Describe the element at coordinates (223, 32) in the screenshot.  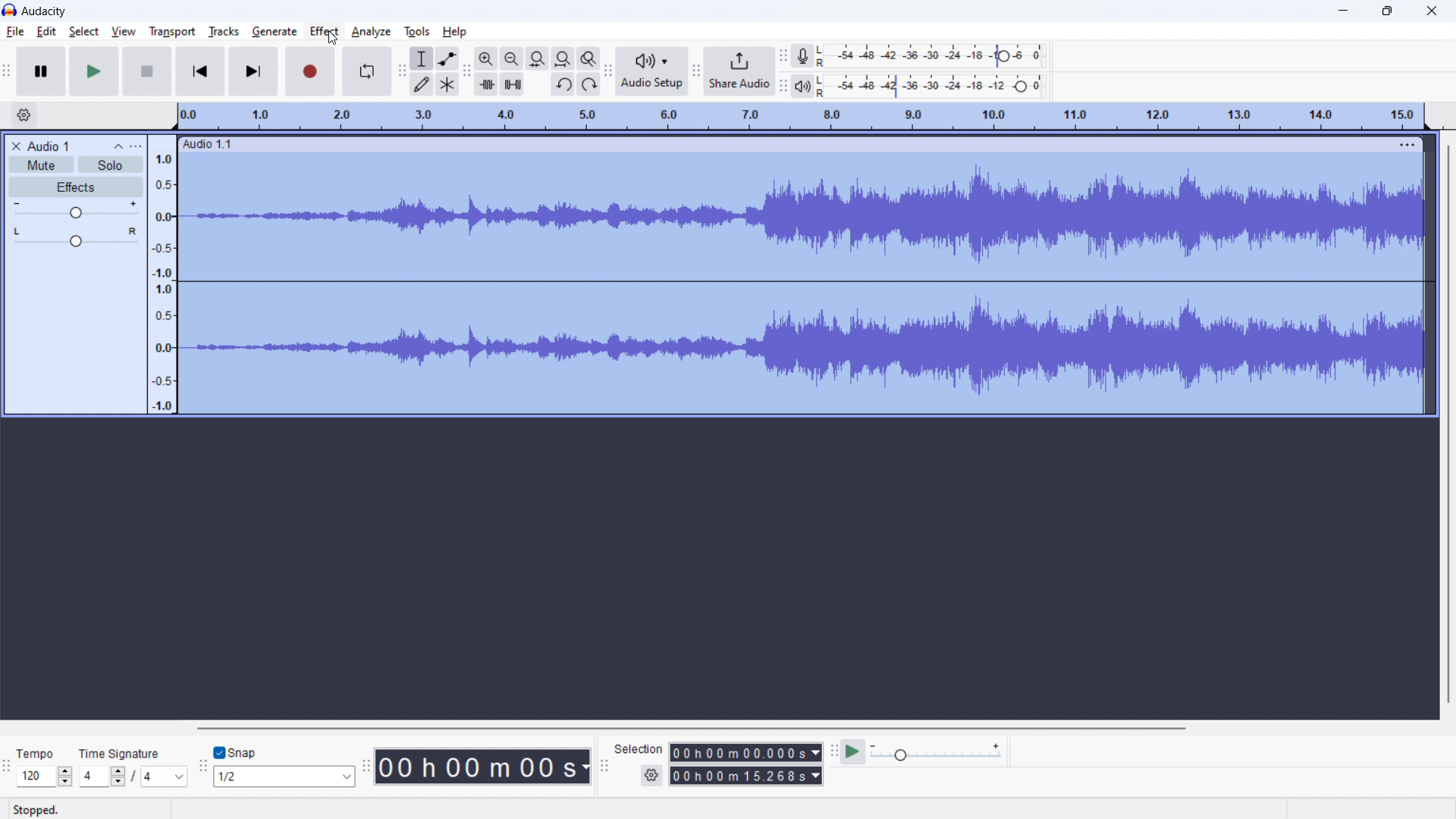
I see `tracks` at that location.